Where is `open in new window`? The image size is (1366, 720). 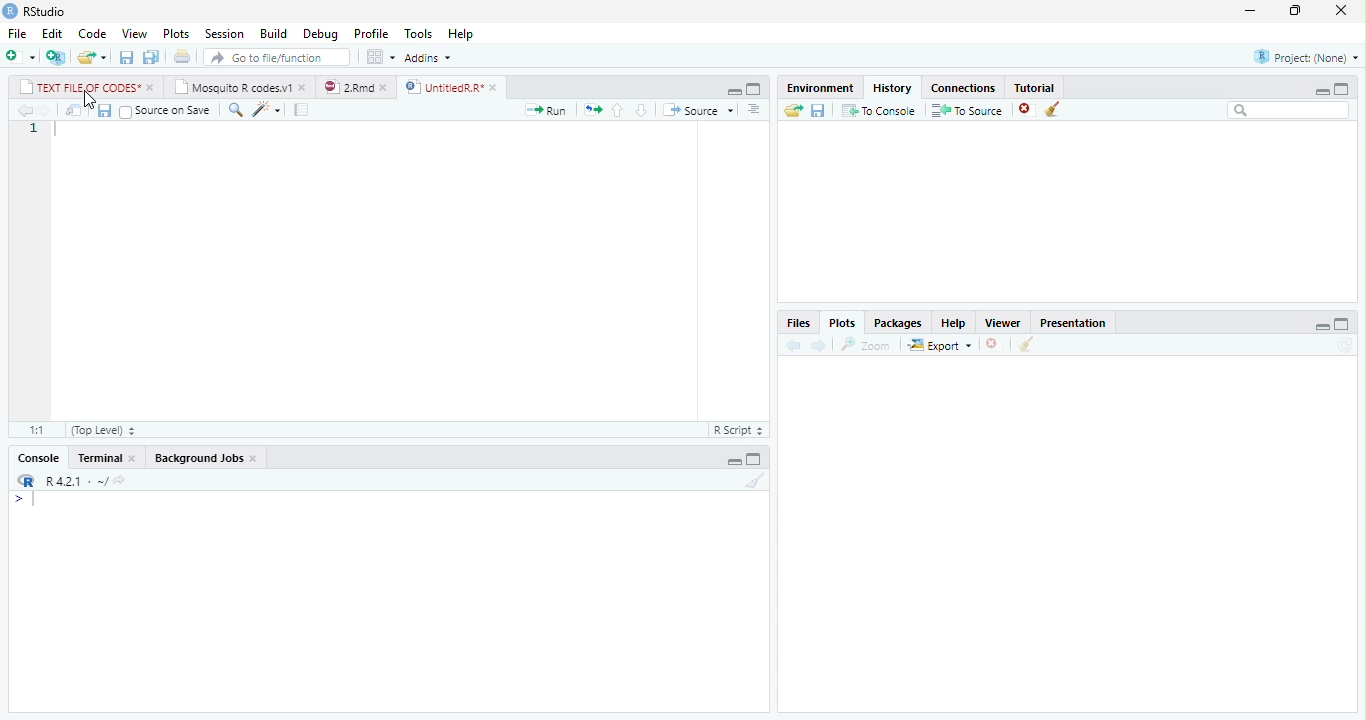 open in new window is located at coordinates (75, 111).